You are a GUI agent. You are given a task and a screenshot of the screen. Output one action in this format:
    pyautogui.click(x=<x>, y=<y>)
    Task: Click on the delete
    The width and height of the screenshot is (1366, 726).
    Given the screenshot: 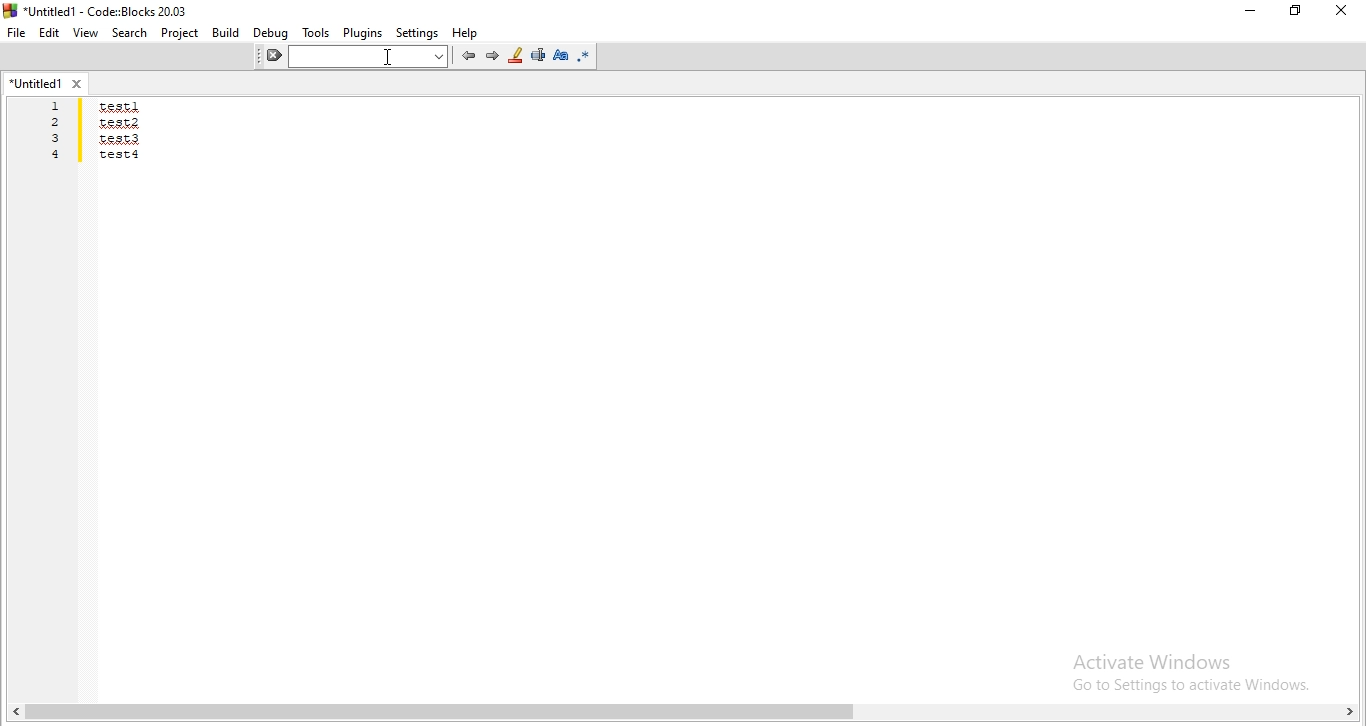 What is the action you would take?
    pyautogui.click(x=275, y=57)
    